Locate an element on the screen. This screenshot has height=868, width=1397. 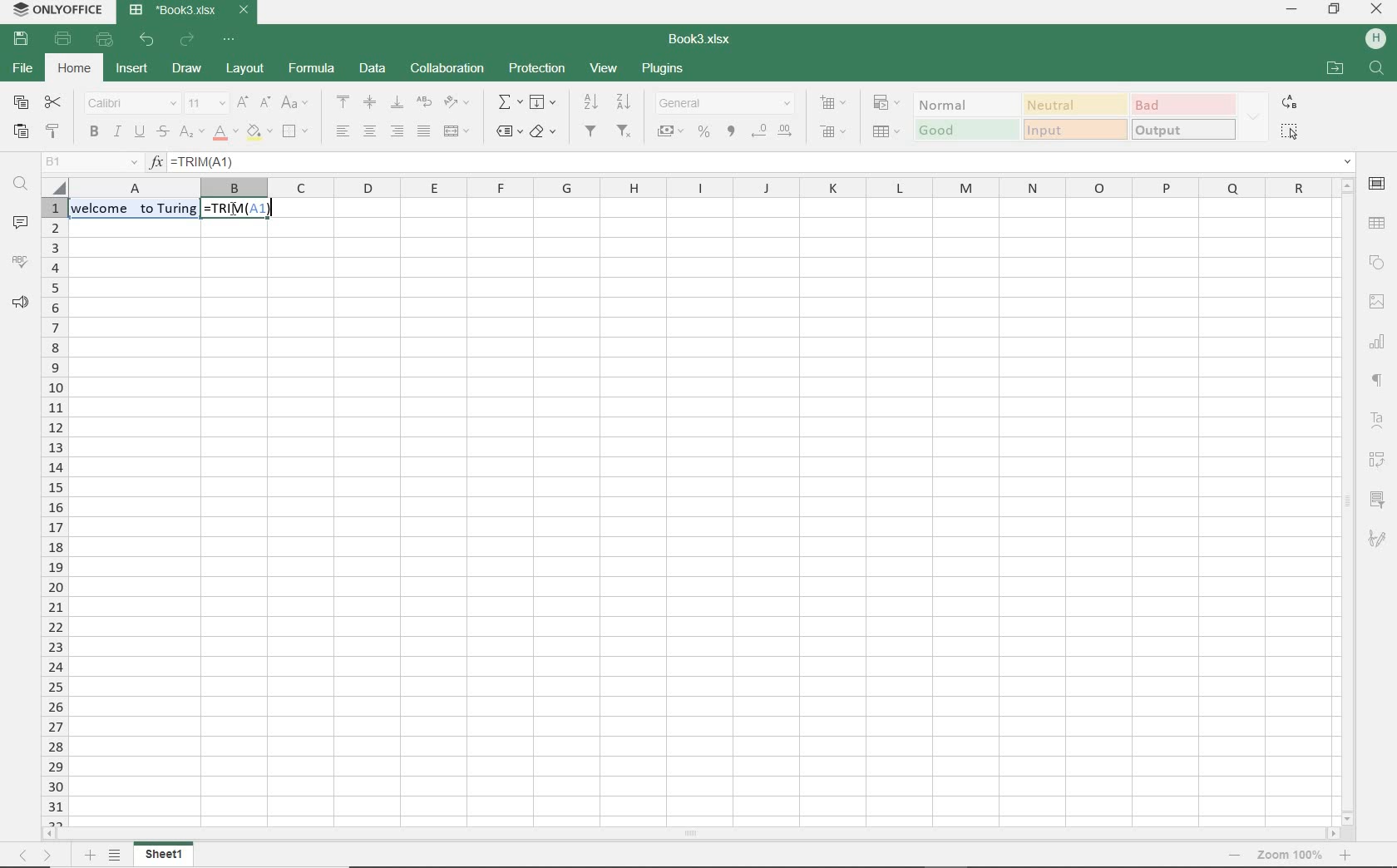
align center is located at coordinates (369, 131).